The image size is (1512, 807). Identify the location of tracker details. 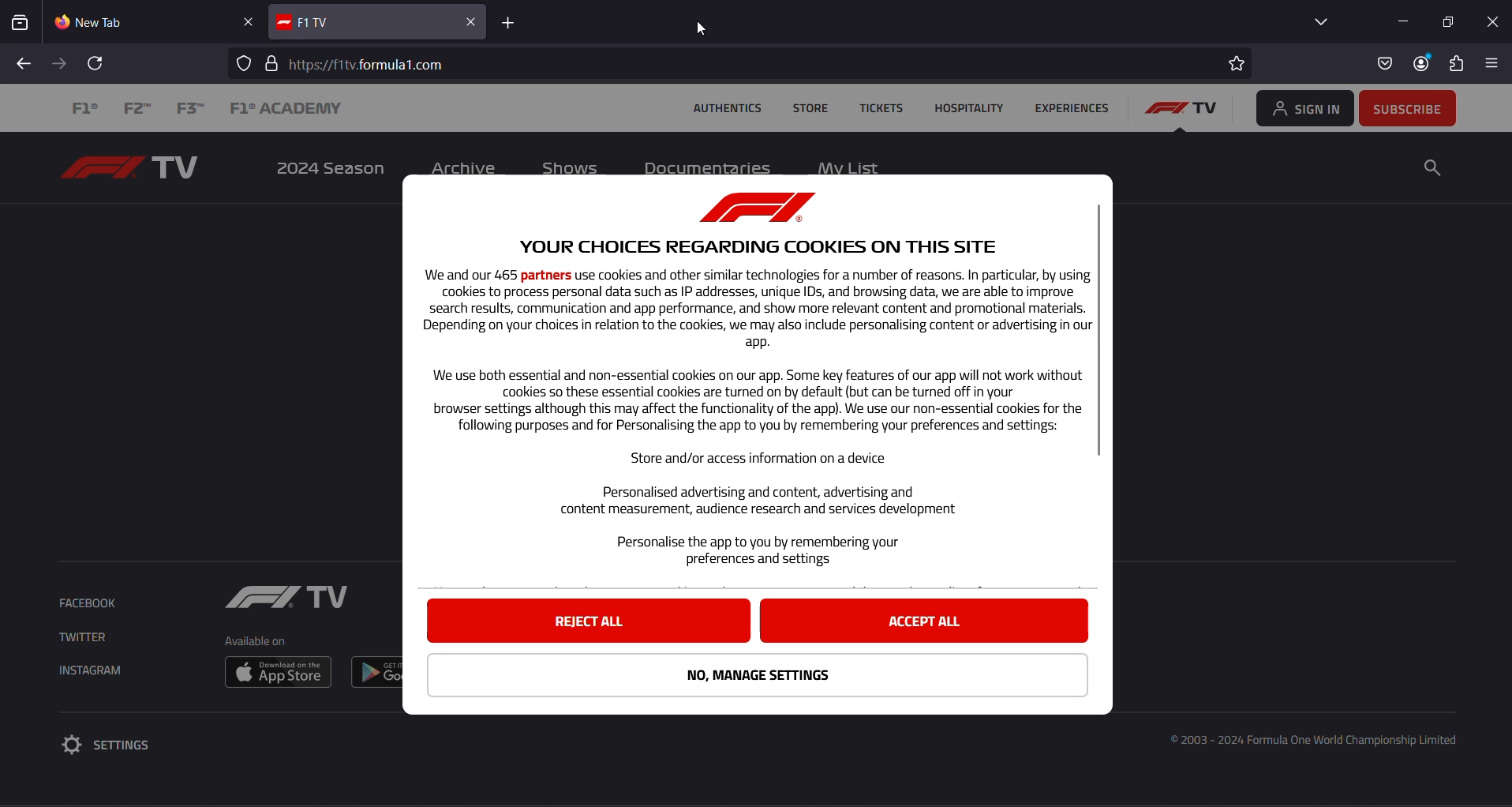
(245, 62).